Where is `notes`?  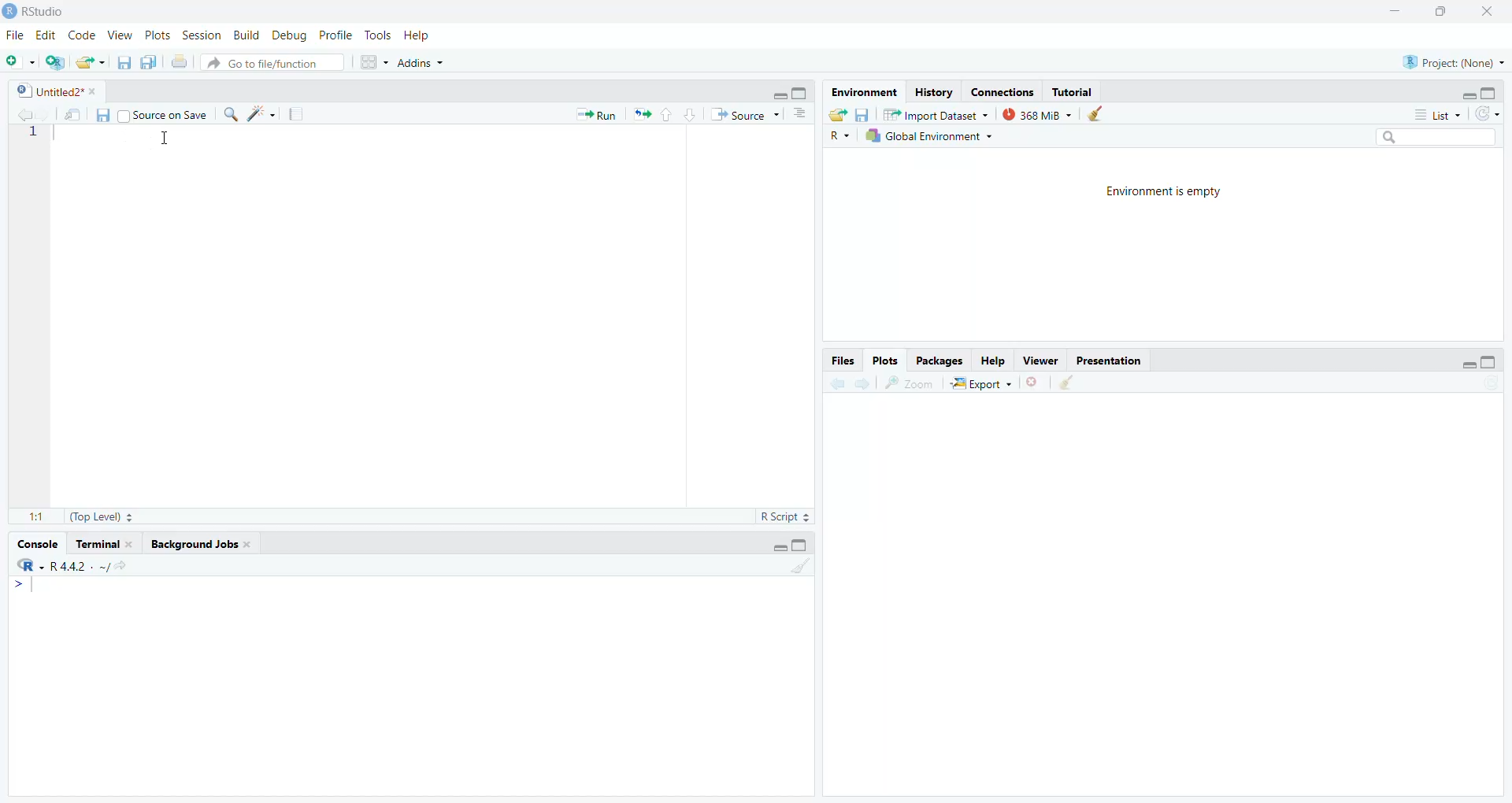
notes is located at coordinates (299, 114).